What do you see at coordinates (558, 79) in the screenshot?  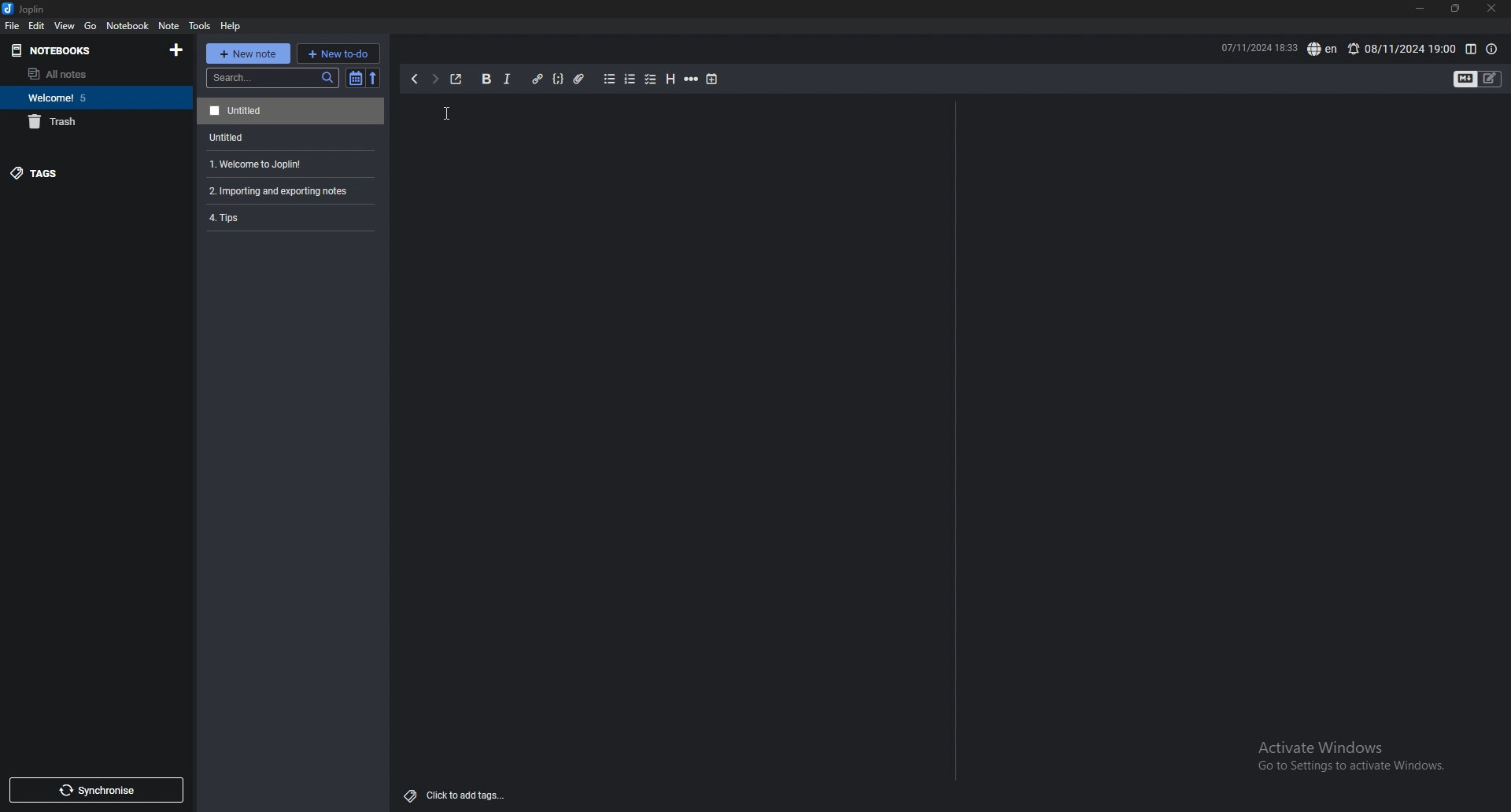 I see `code` at bounding box center [558, 79].